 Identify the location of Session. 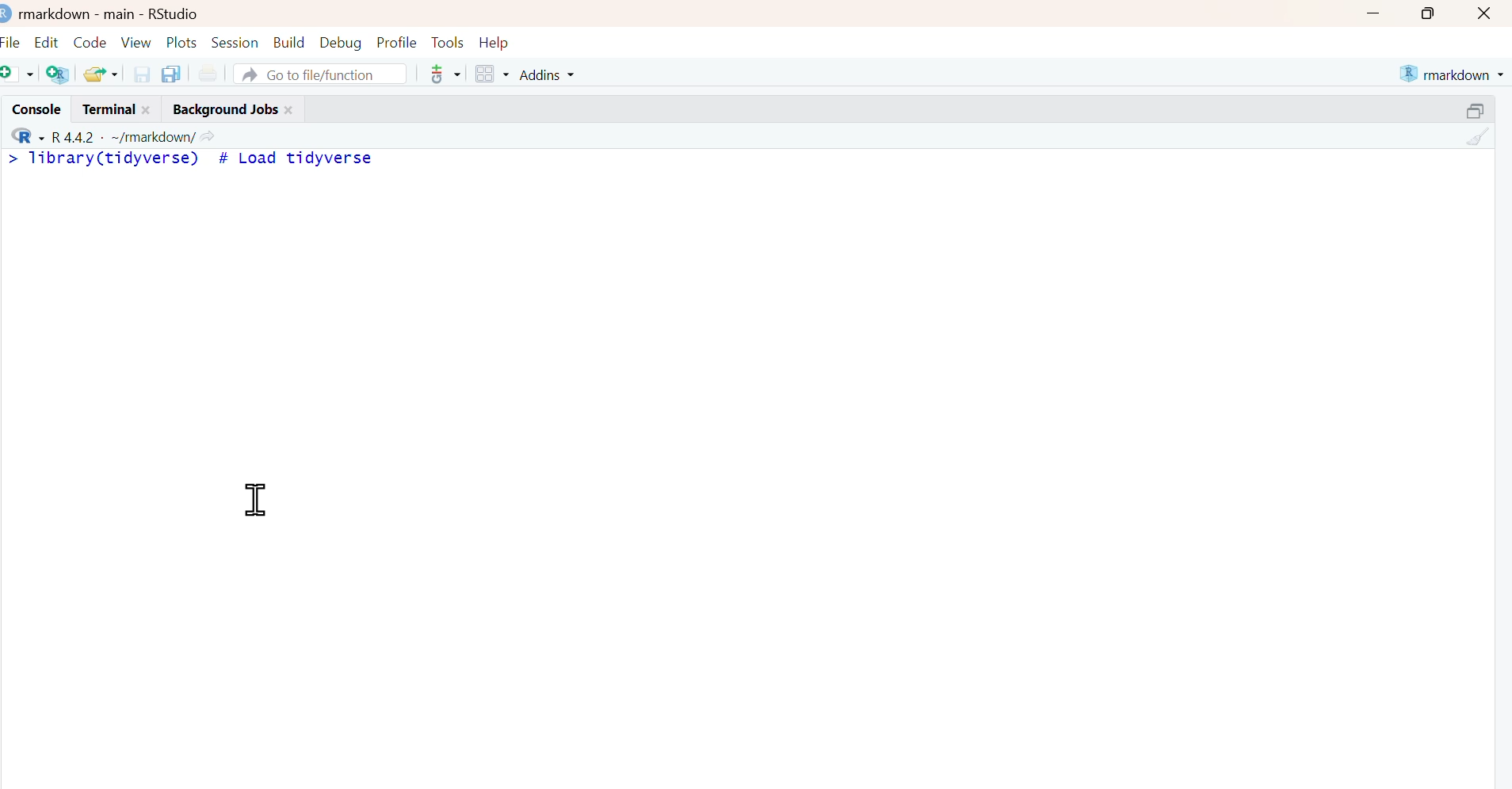
(236, 40).